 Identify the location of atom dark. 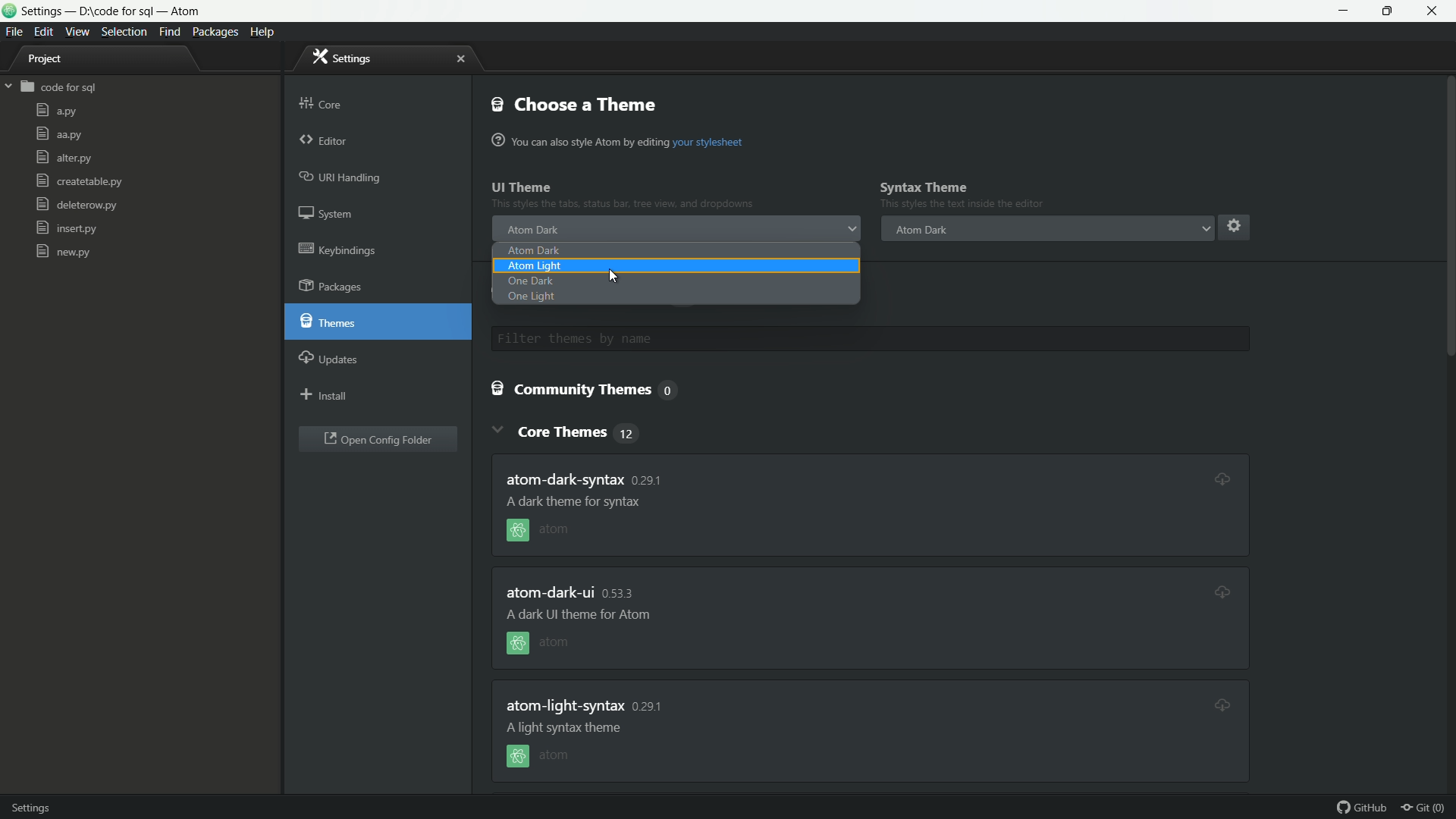
(533, 250).